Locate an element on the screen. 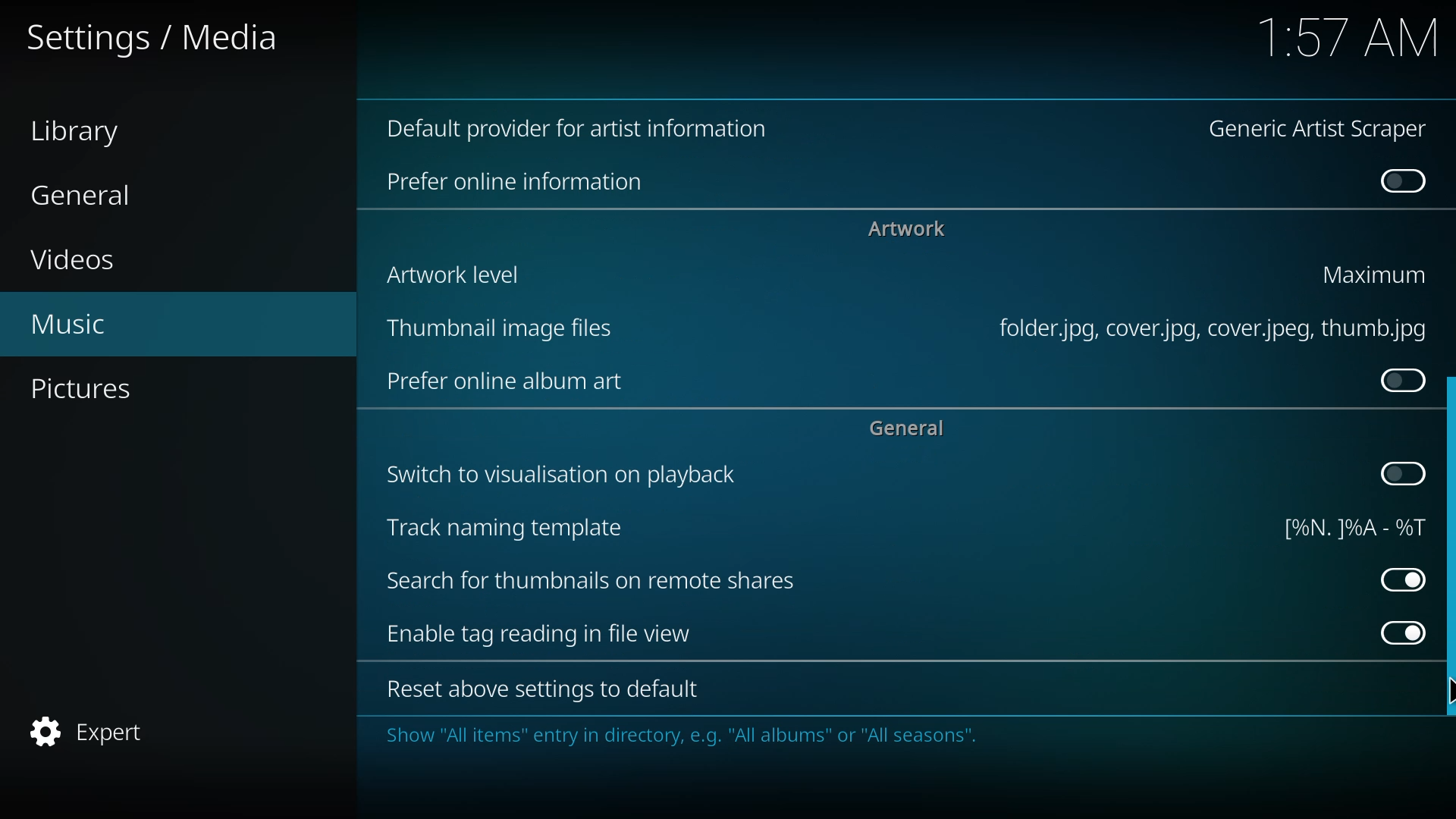 This screenshot has width=1456, height=819. videos is located at coordinates (78, 260).